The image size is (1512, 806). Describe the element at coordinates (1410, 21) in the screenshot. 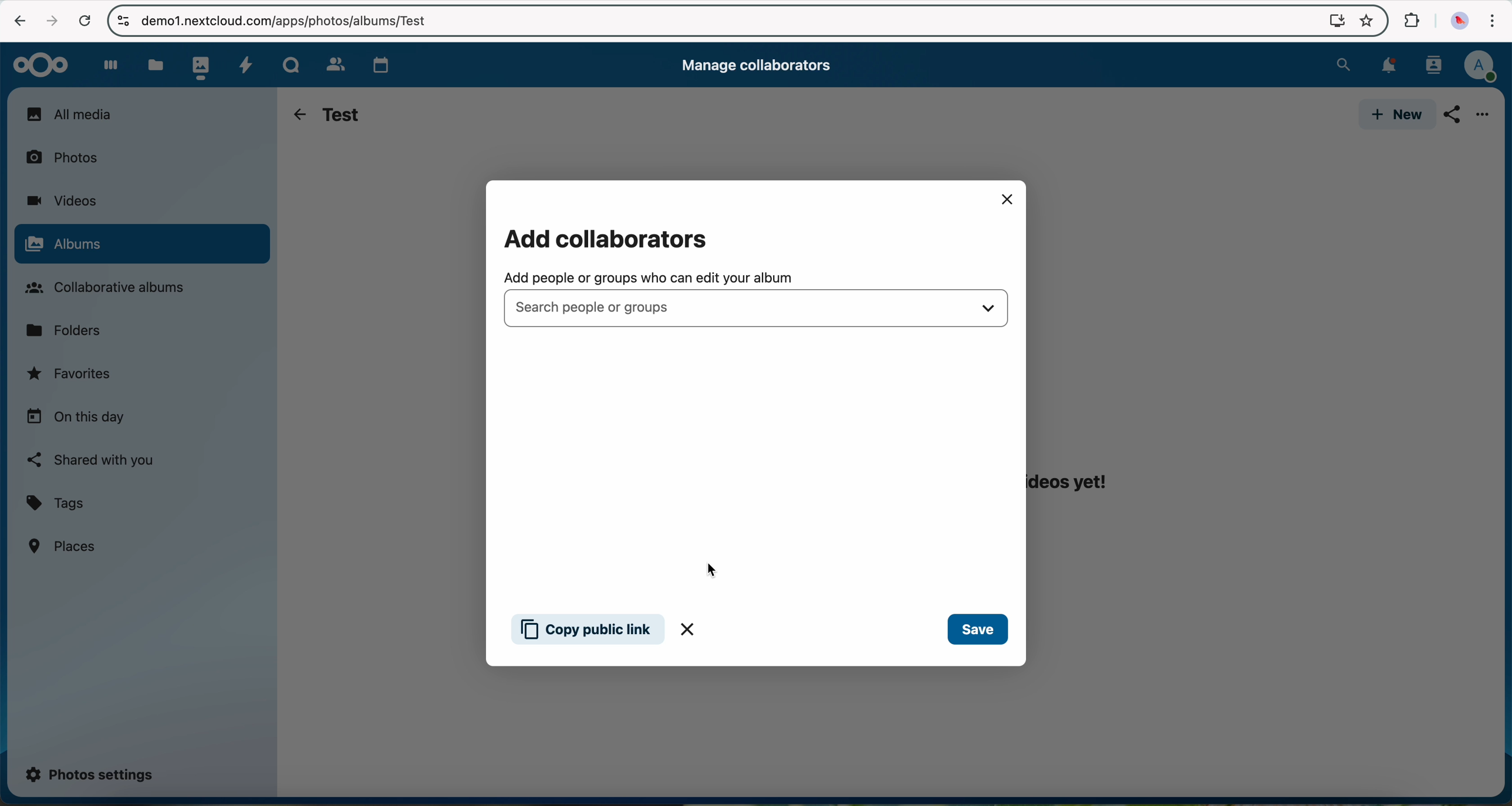

I see `extensions` at that location.